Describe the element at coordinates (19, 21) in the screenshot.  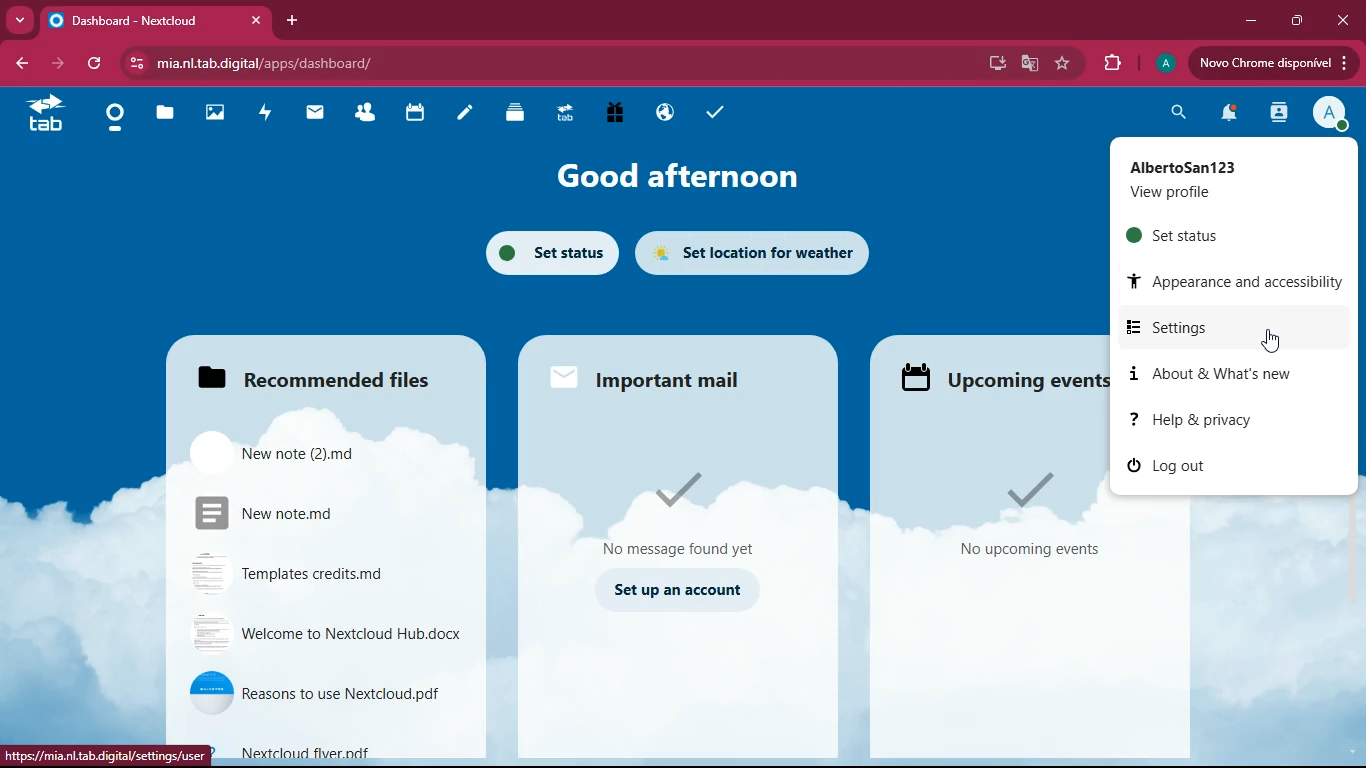
I see `more` at that location.